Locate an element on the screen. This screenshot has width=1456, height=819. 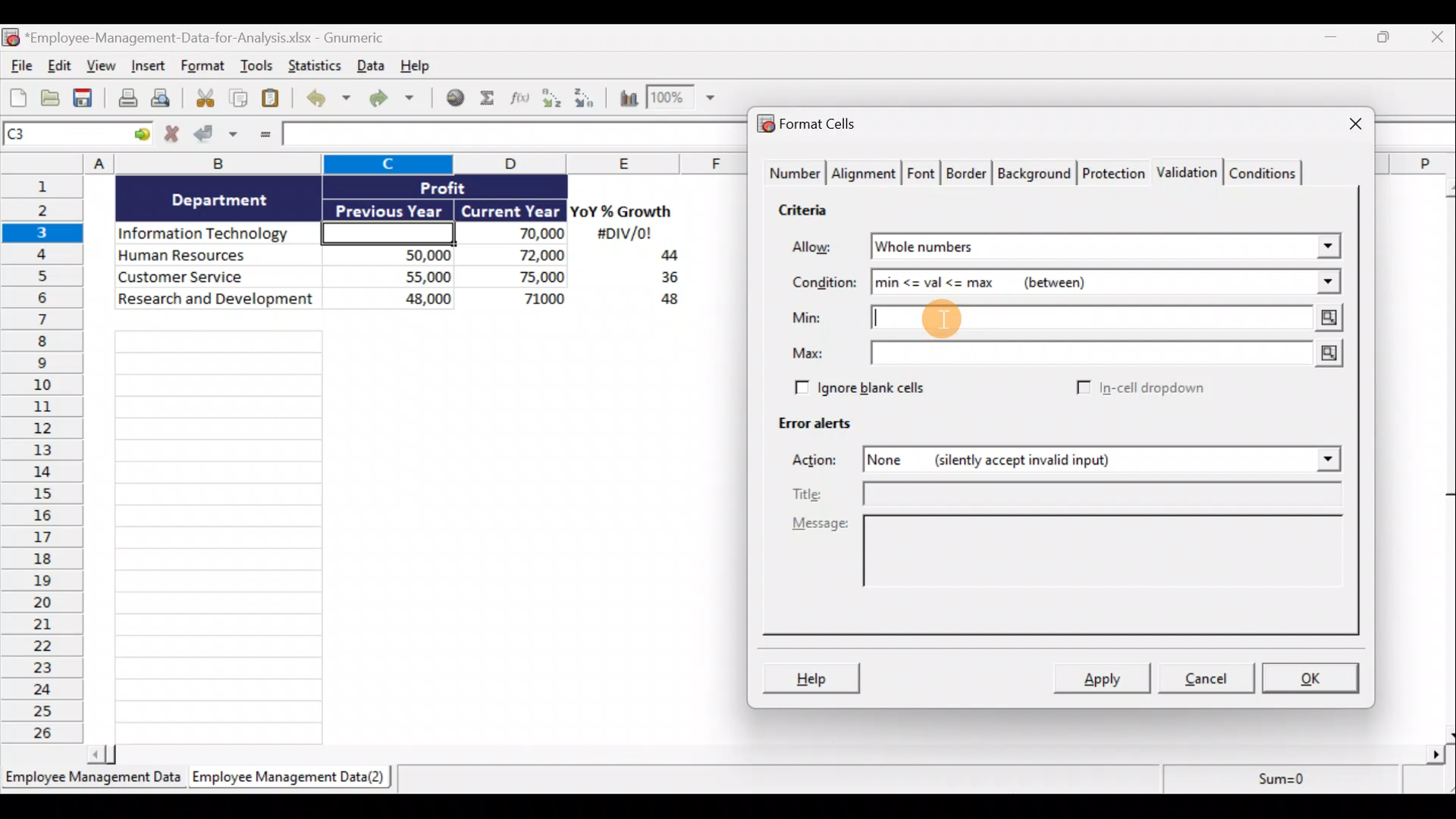
#DIV/0! is located at coordinates (623, 234).